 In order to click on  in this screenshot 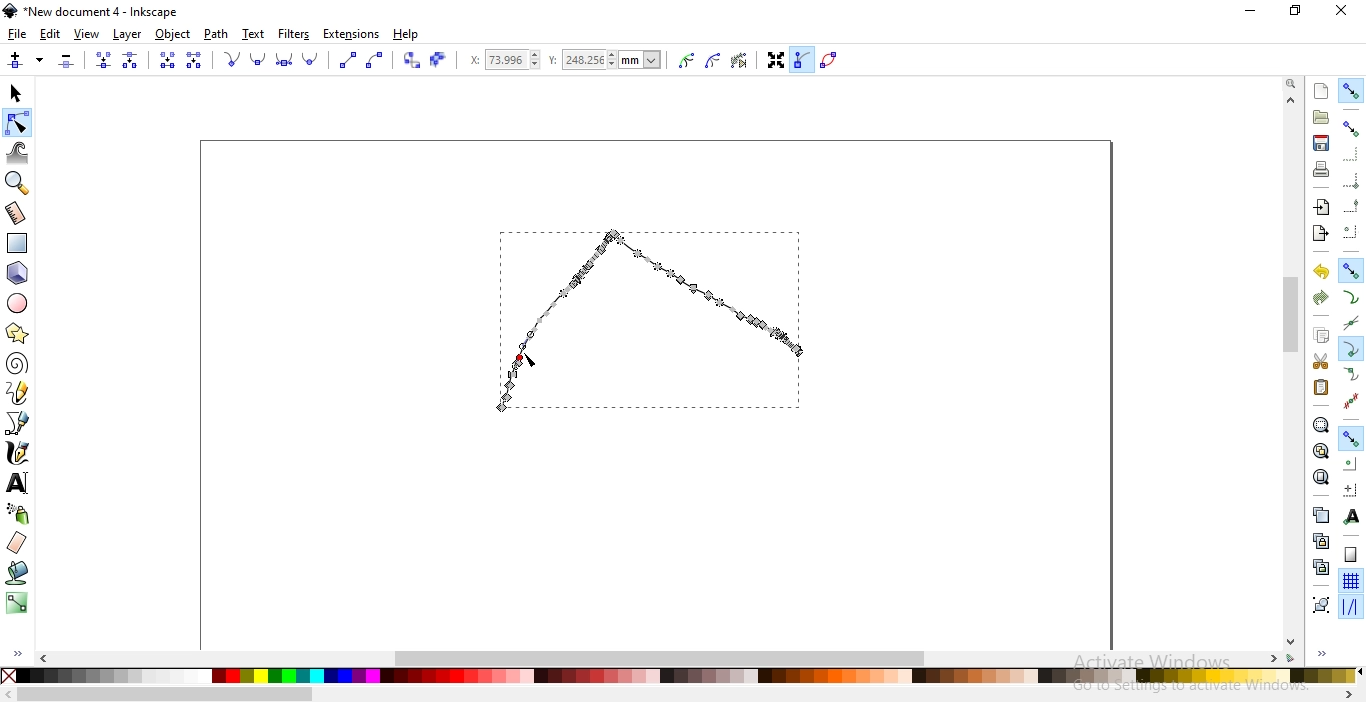, I will do `click(1351, 180)`.